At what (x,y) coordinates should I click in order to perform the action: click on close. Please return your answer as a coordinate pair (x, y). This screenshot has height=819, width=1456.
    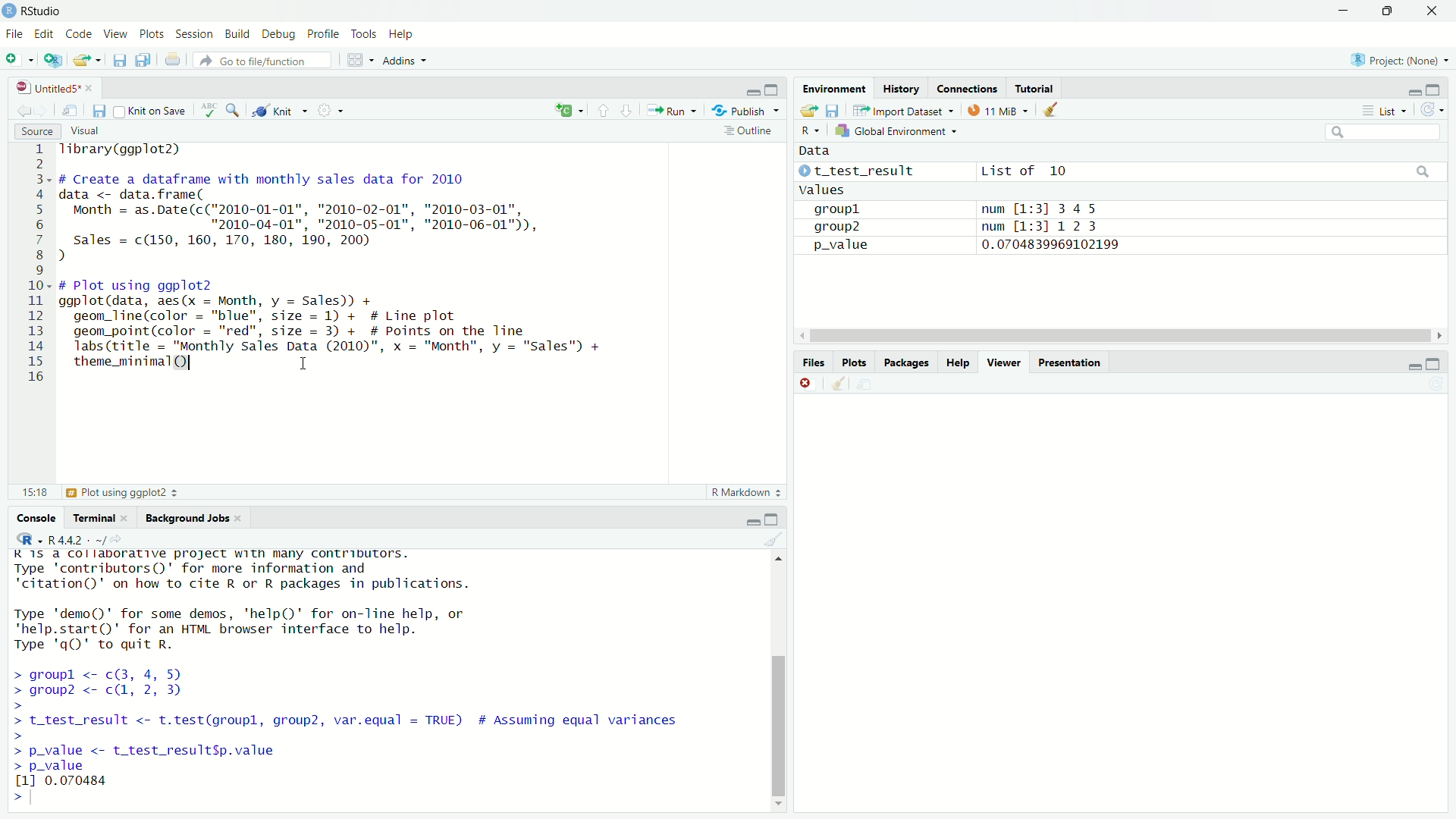
    Looking at the image, I should click on (806, 382).